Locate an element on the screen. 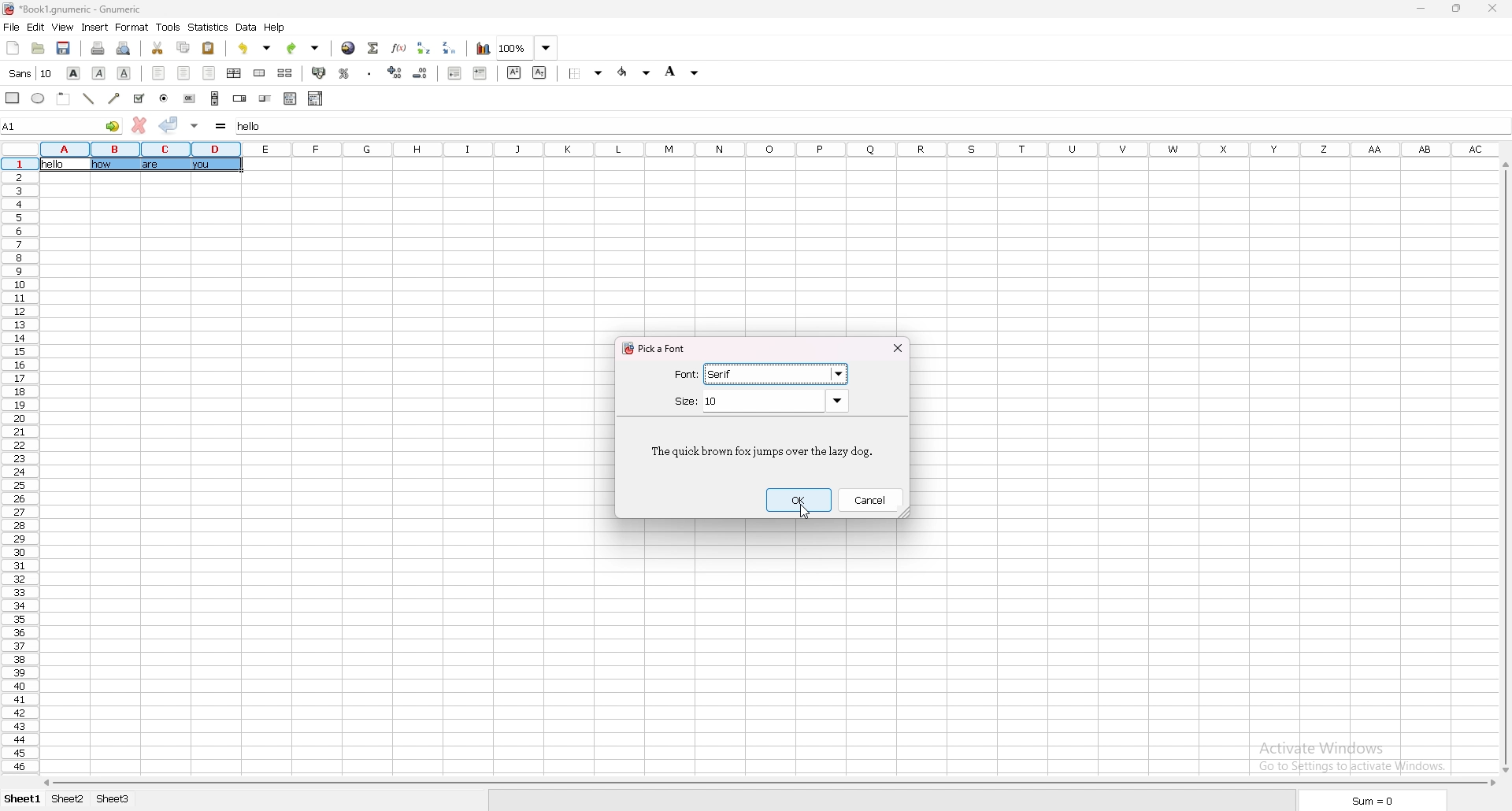 The height and width of the screenshot is (811, 1512). superscript is located at coordinates (513, 72).